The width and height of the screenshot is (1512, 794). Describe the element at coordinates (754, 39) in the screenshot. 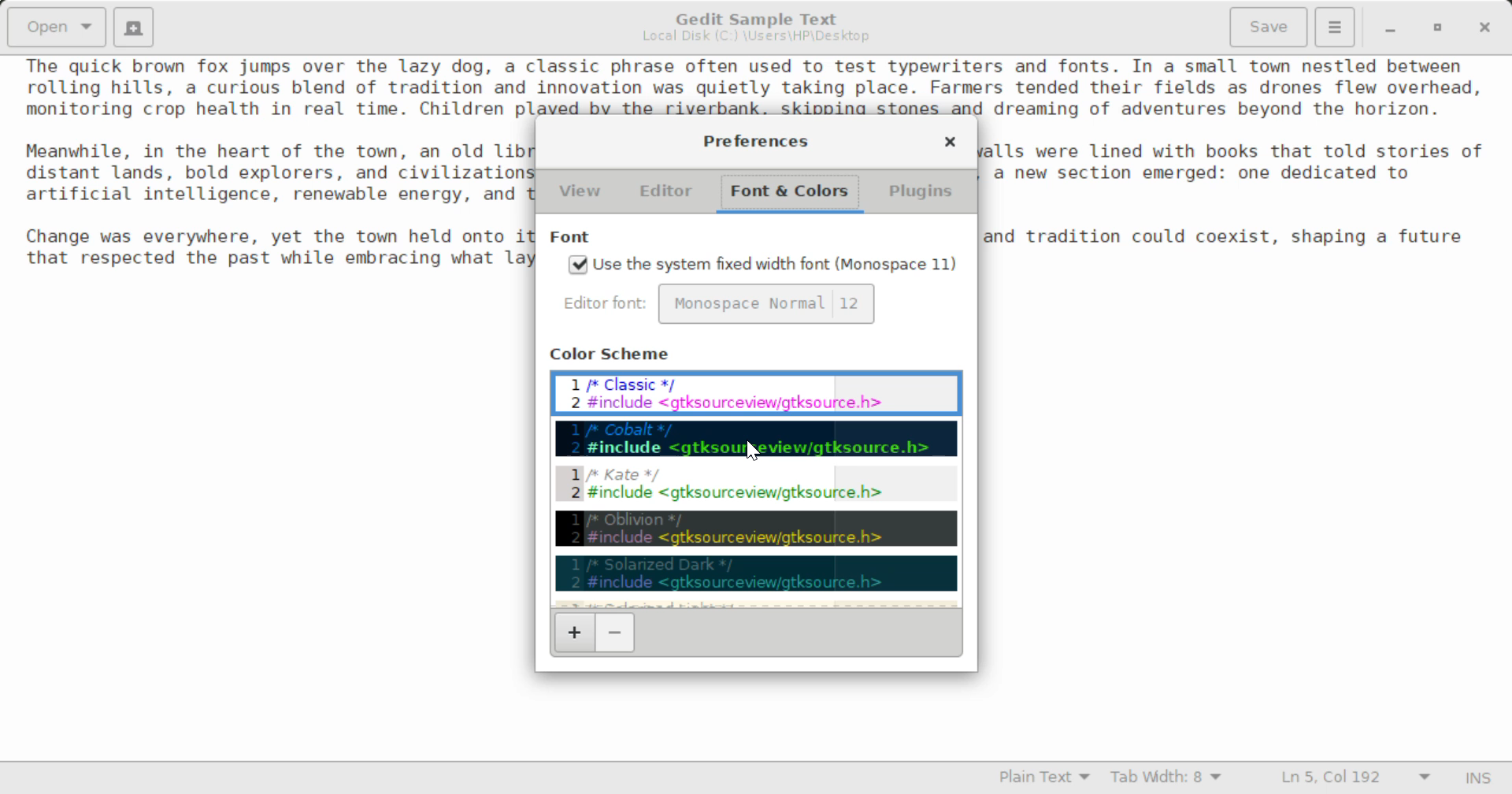

I see `File Location` at that location.